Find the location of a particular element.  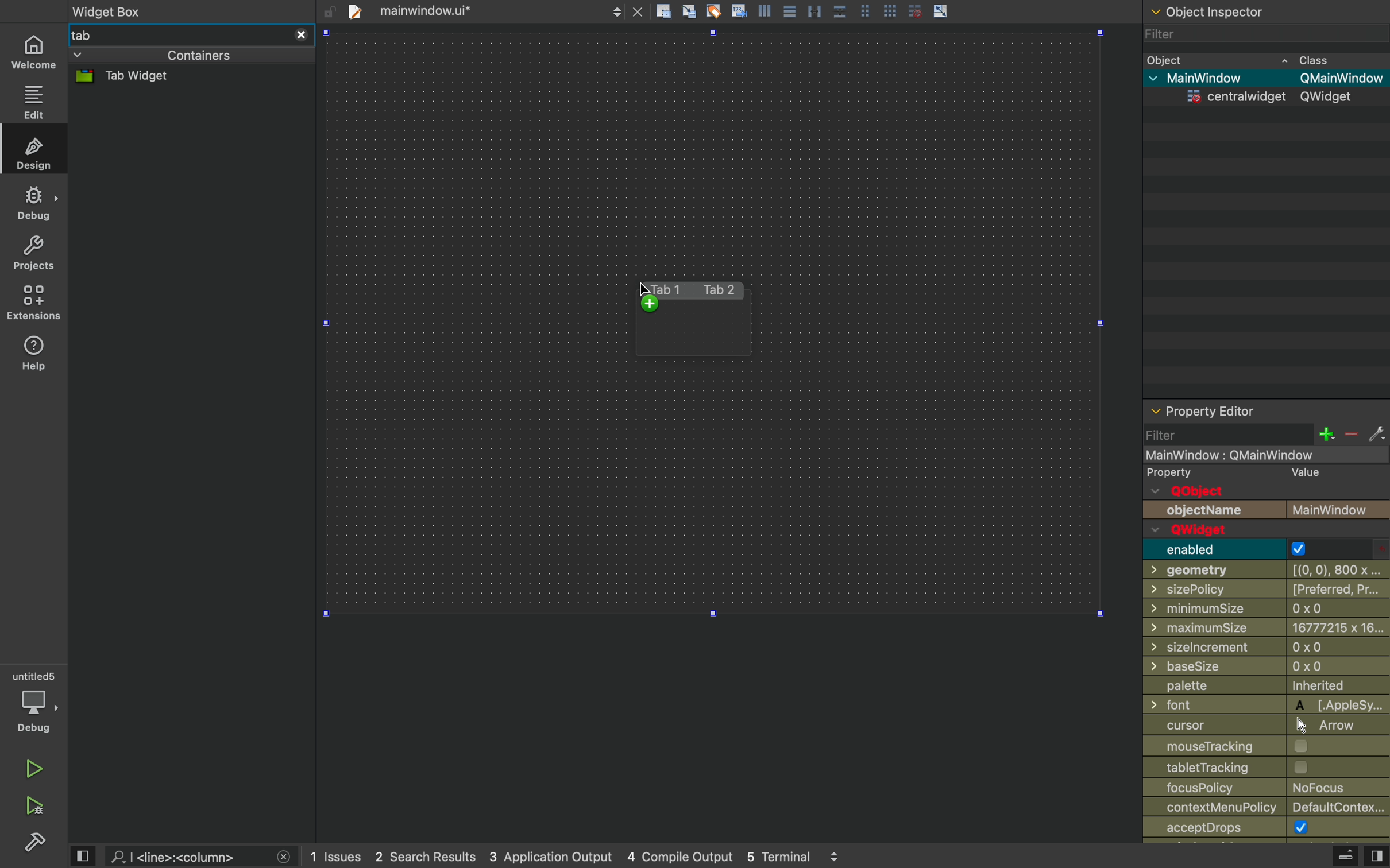

close is located at coordinates (300, 34).